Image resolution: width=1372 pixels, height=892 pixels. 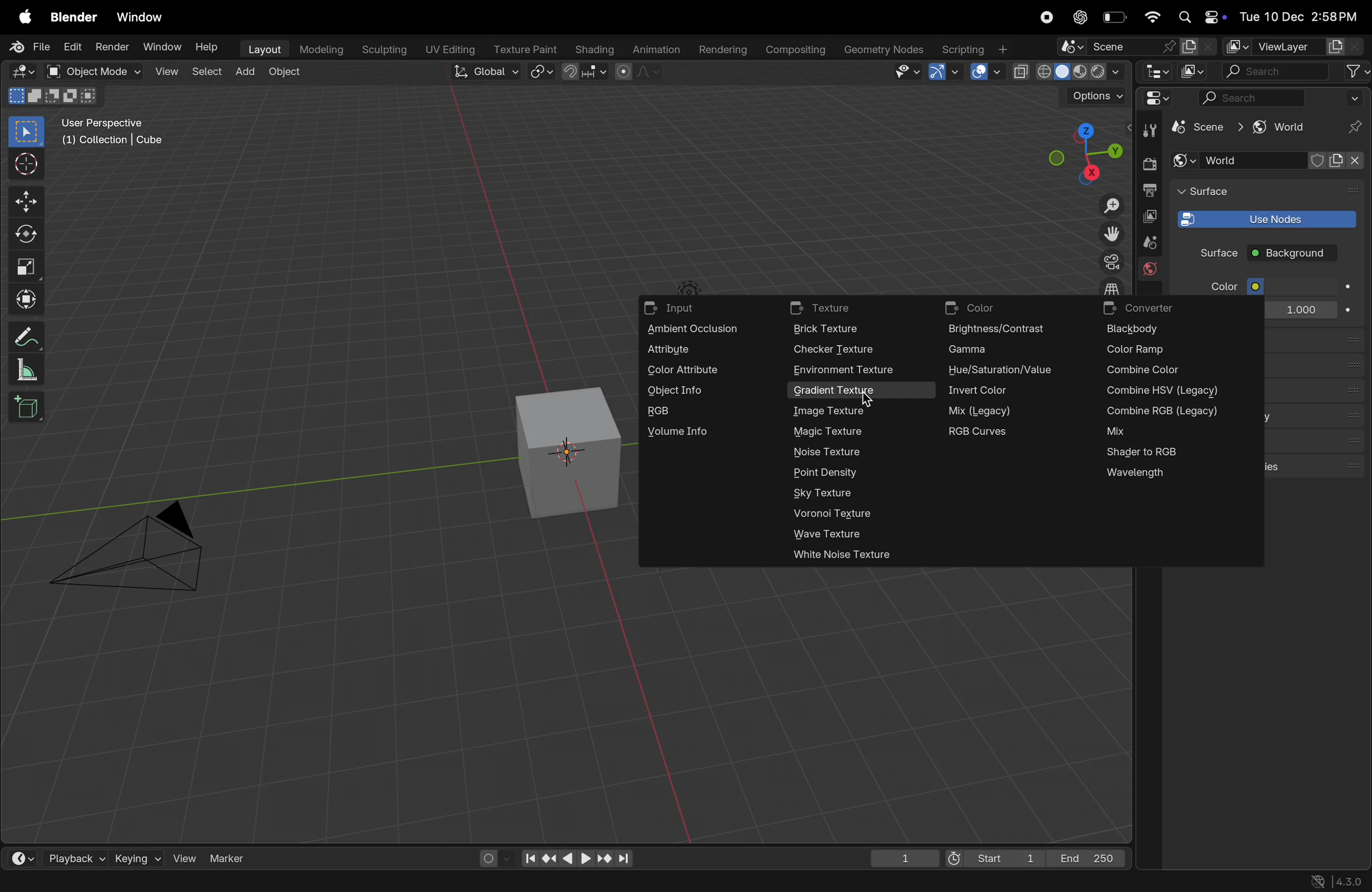 What do you see at coordinates (322, 49) in the screenshot?
I see `Modelling` at bounding box center [322, 49].